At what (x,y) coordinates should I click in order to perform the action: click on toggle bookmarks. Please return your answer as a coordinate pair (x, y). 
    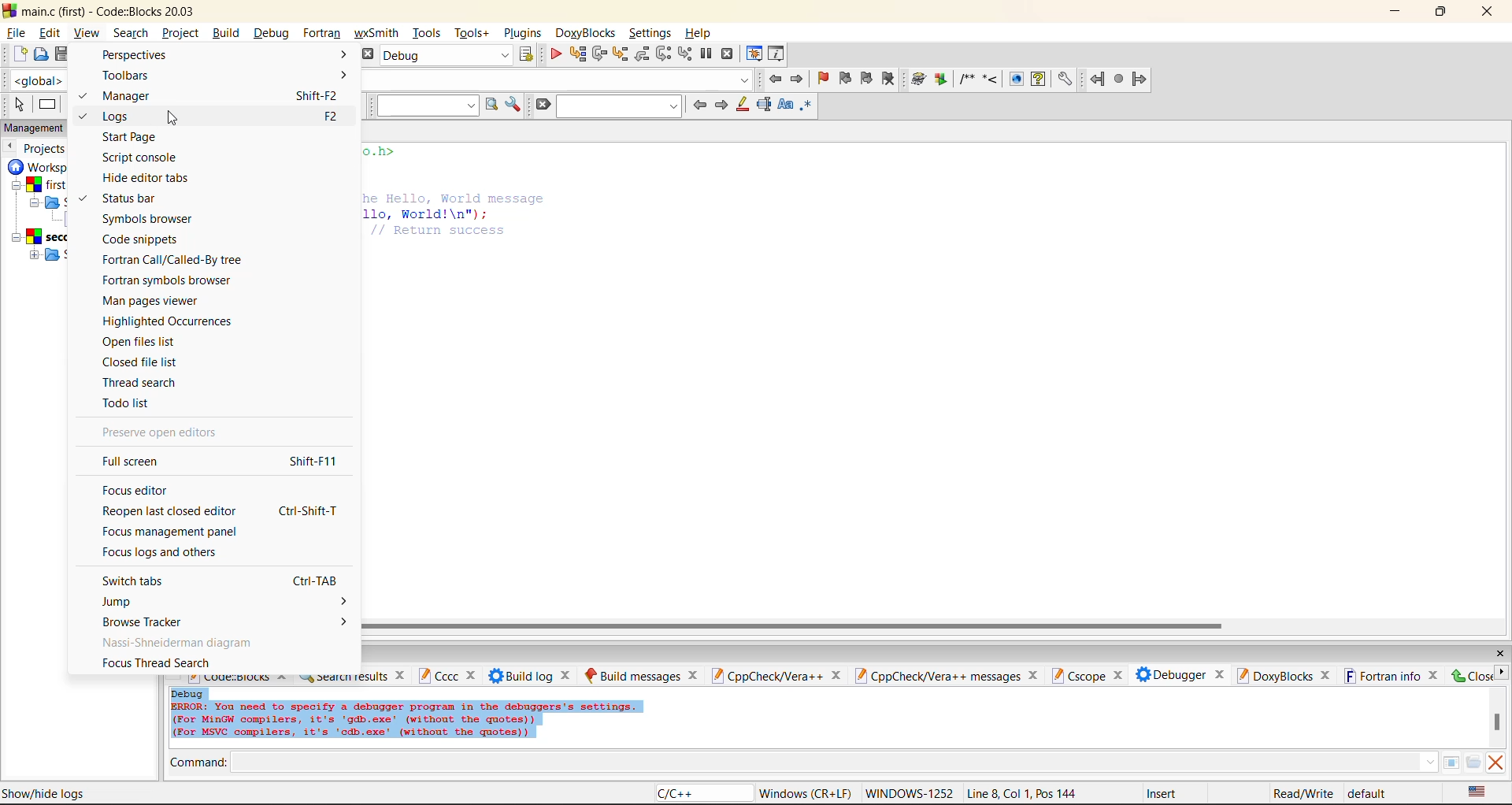
    Looking at the image, I should click on (822, 79).